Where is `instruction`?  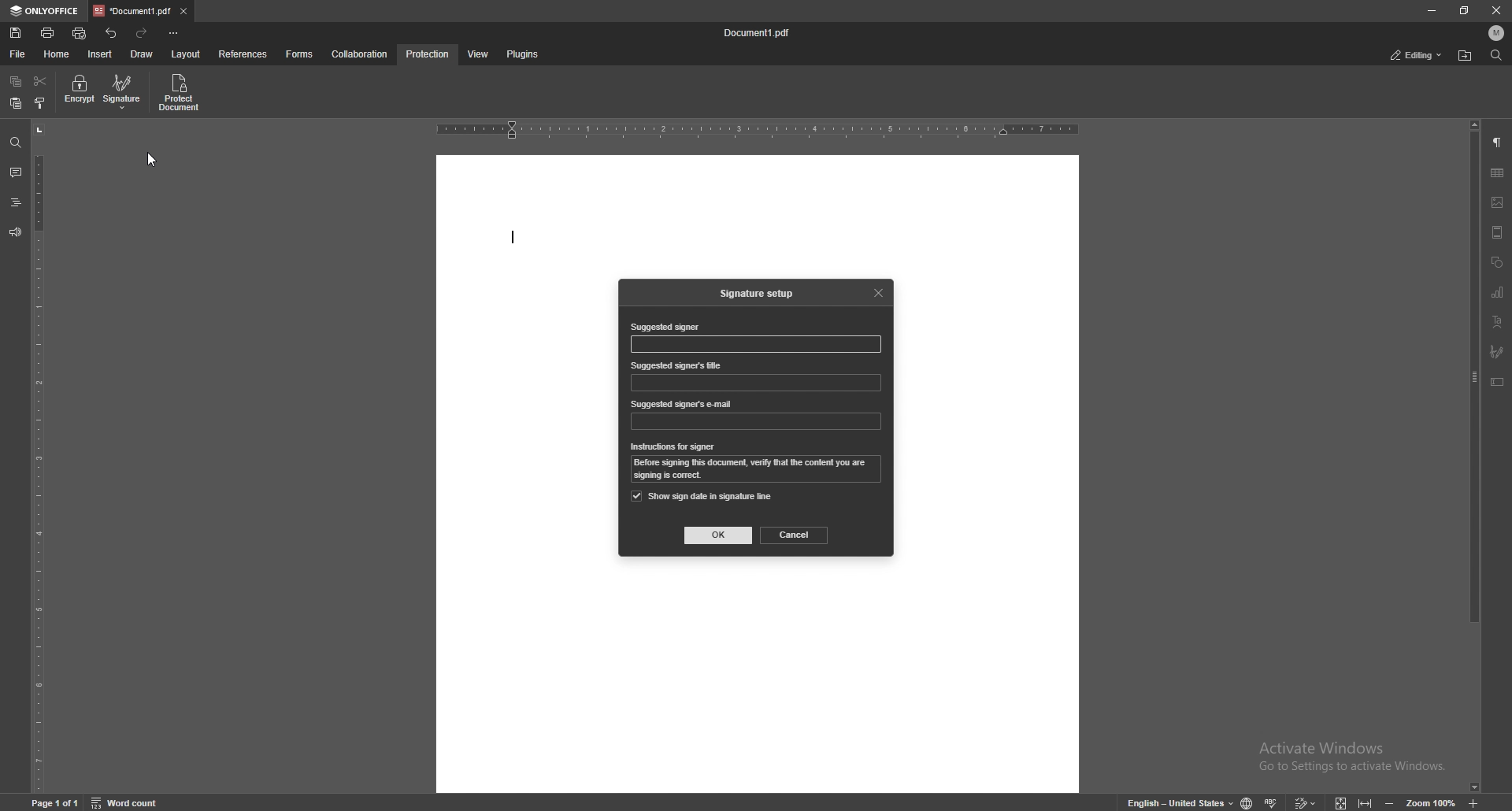
instruction is located at coordinates (758, 470).